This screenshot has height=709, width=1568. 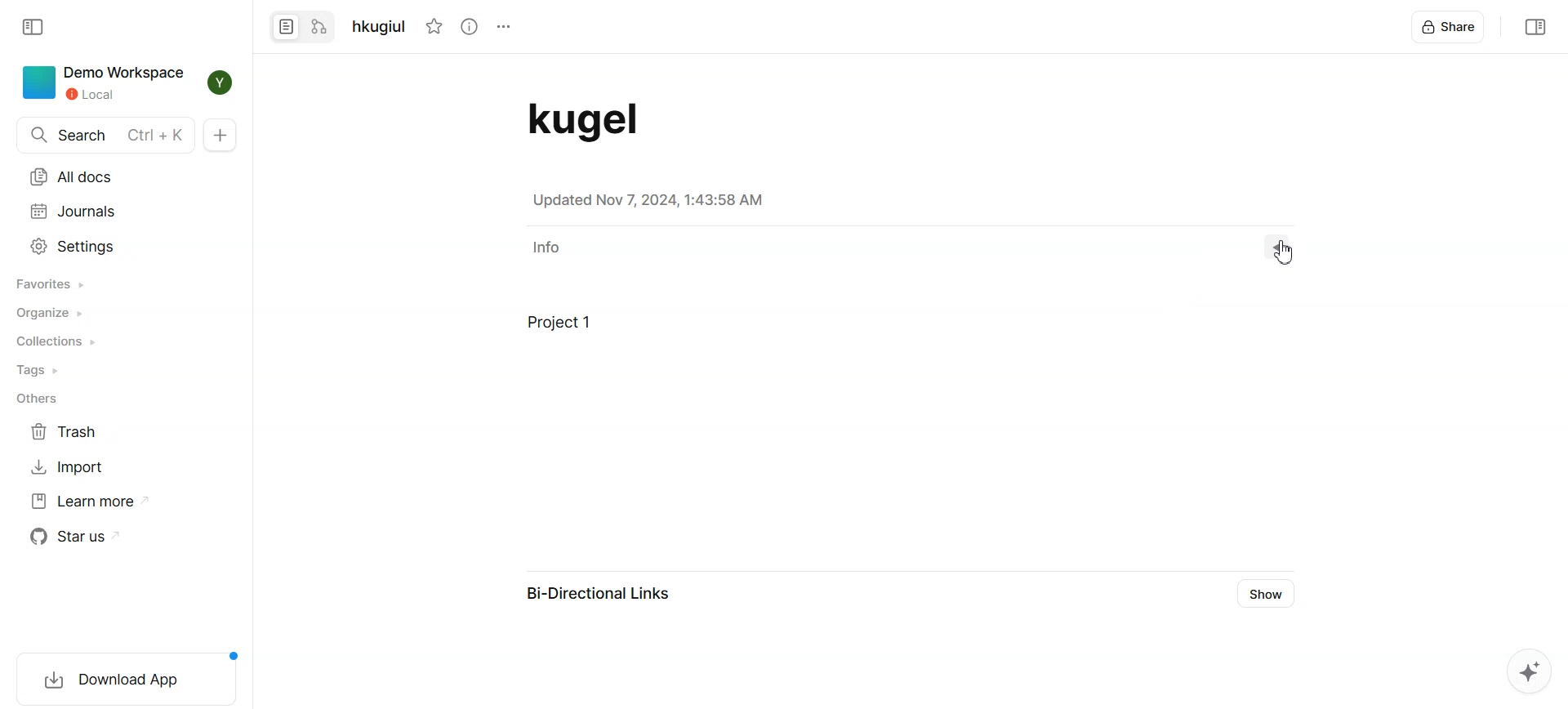 What do you see at coordinates (89, 502) in the screenshot?
I see `Learn more` at bounding box center [89, 502].